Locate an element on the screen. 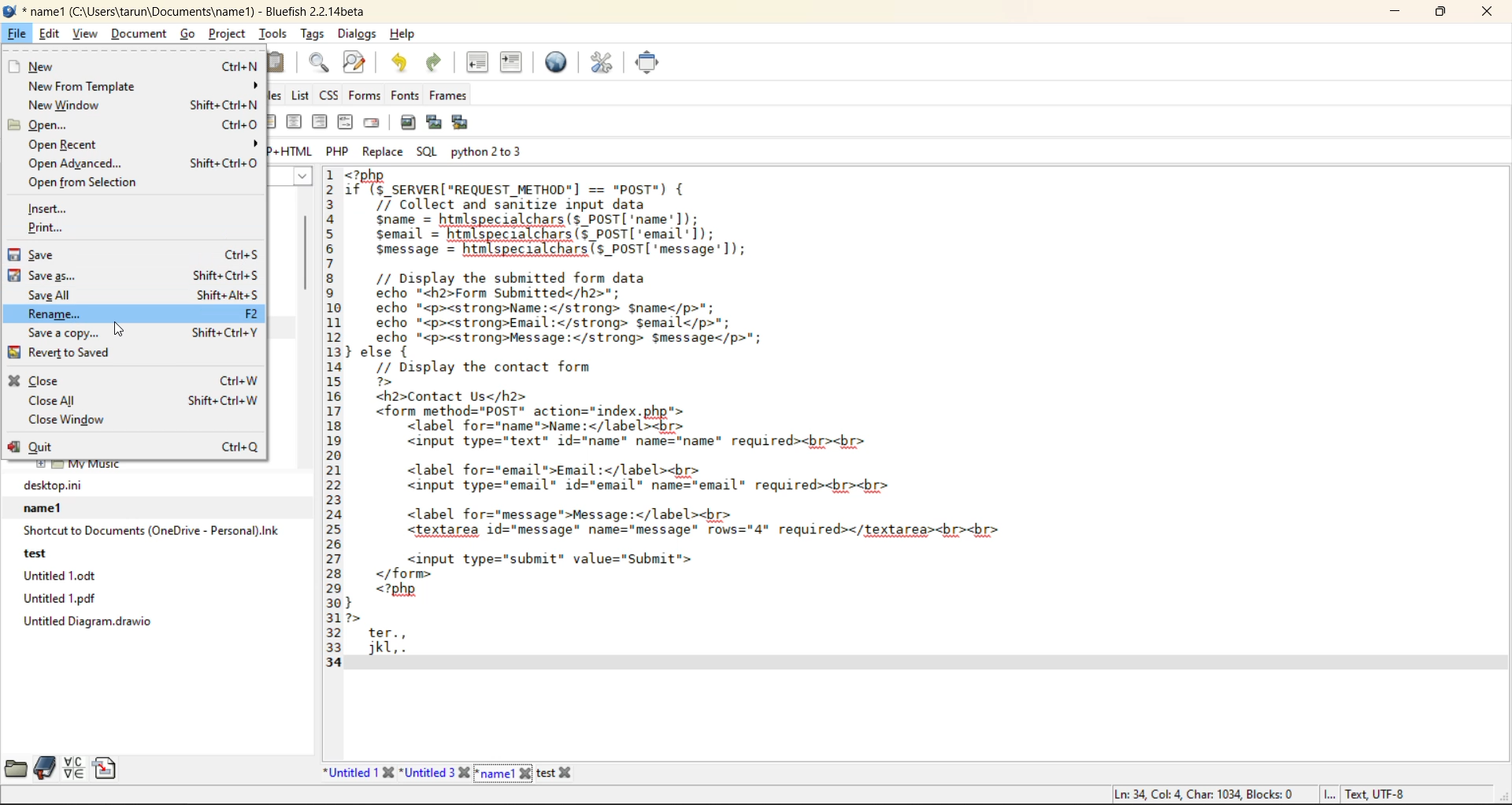 This screenshot has width=1512, height=805. insert multiple thumbnail is located at coordinates (458, 123).